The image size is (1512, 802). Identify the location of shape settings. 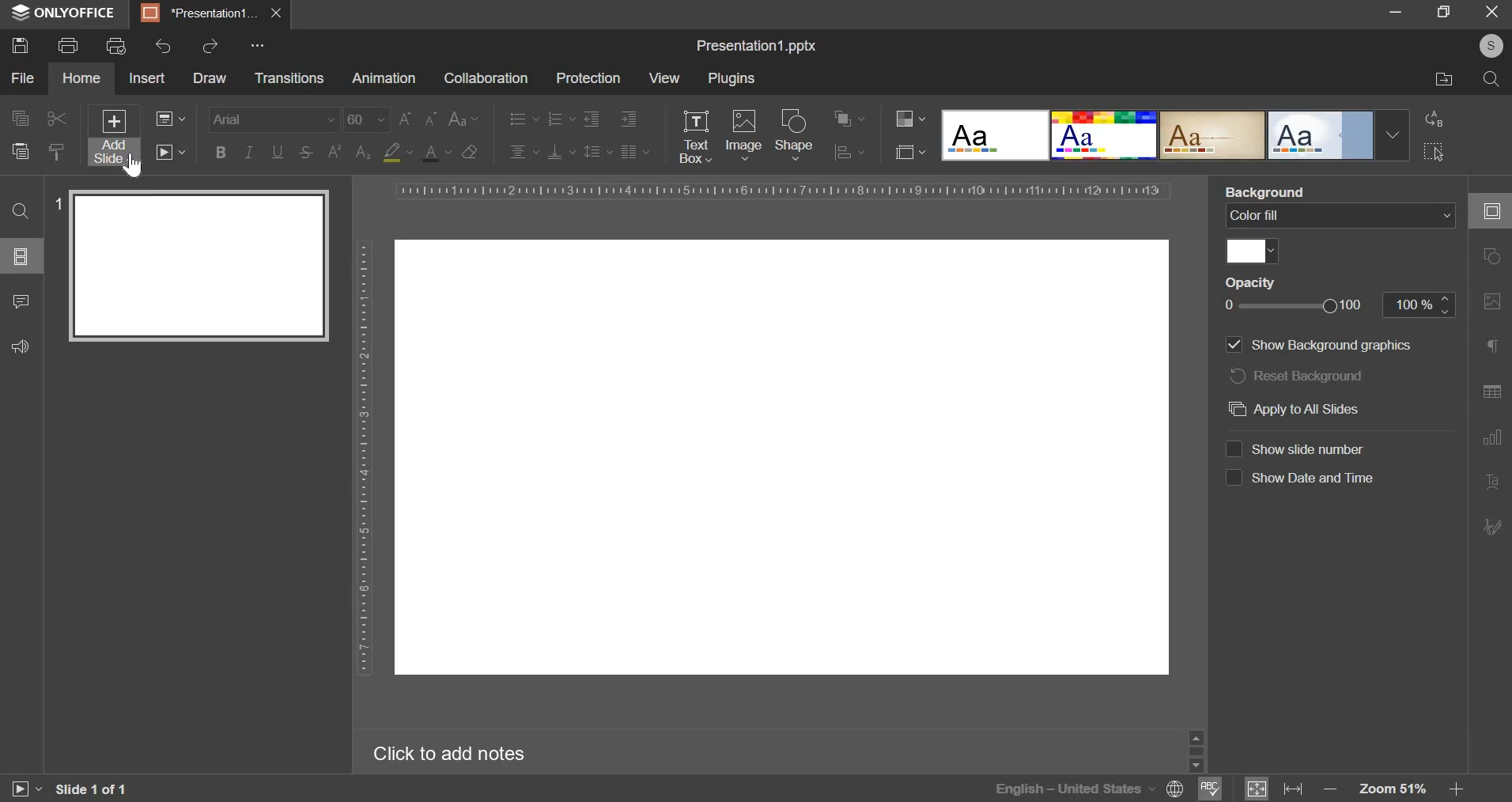
(1488, 257).